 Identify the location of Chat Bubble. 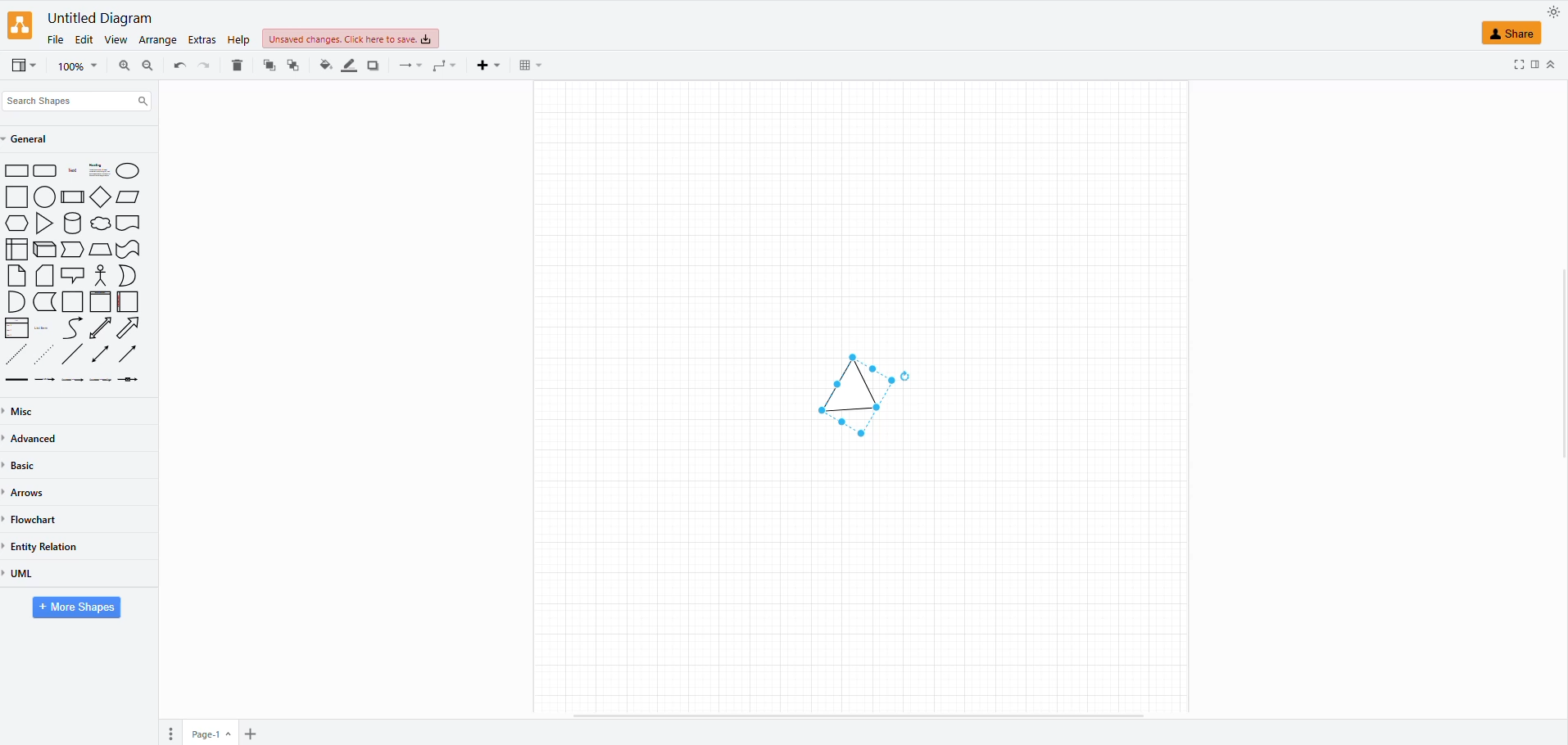
(101, 223).